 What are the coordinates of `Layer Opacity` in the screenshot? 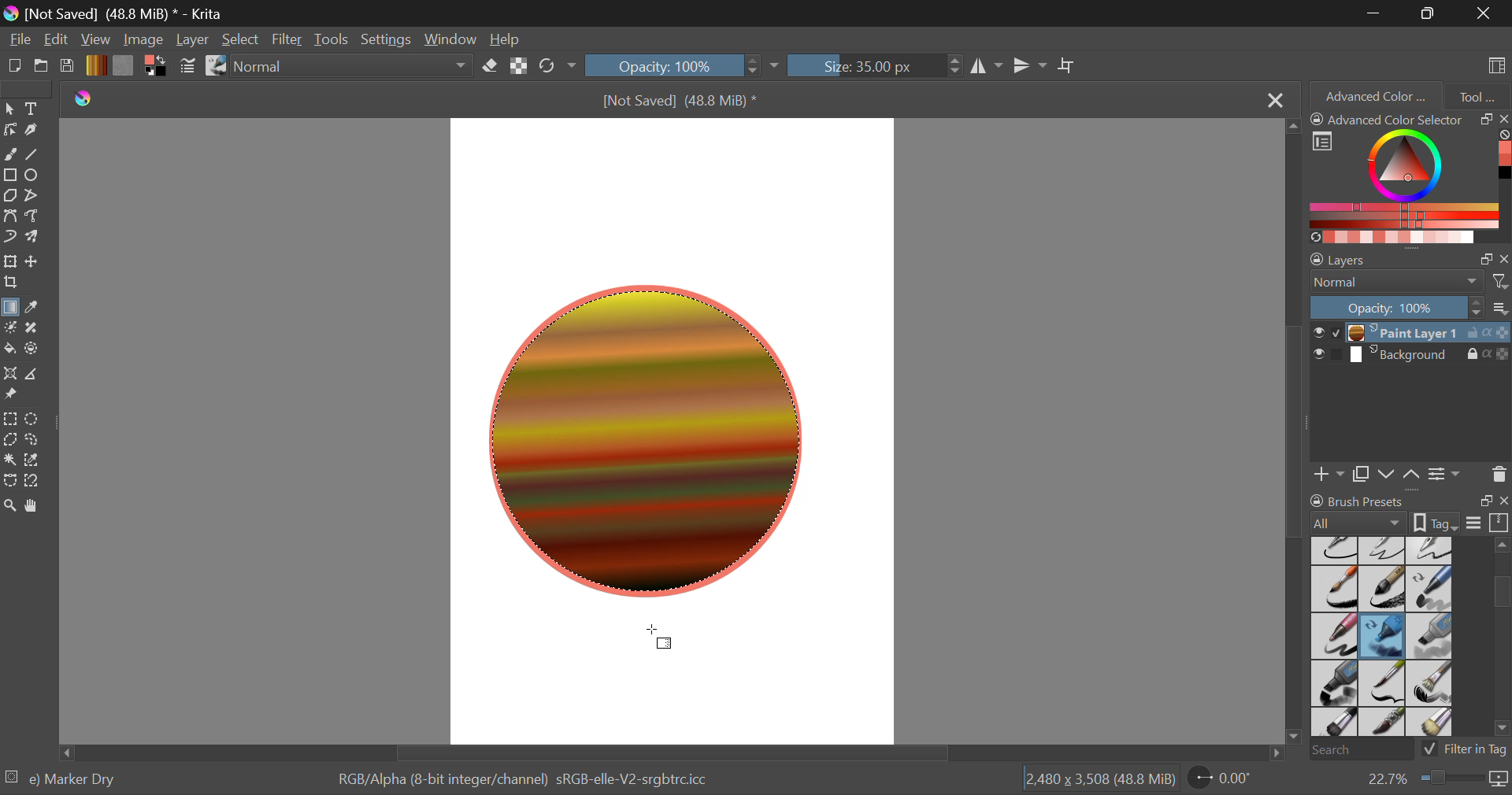 It's located at (1410, 307).